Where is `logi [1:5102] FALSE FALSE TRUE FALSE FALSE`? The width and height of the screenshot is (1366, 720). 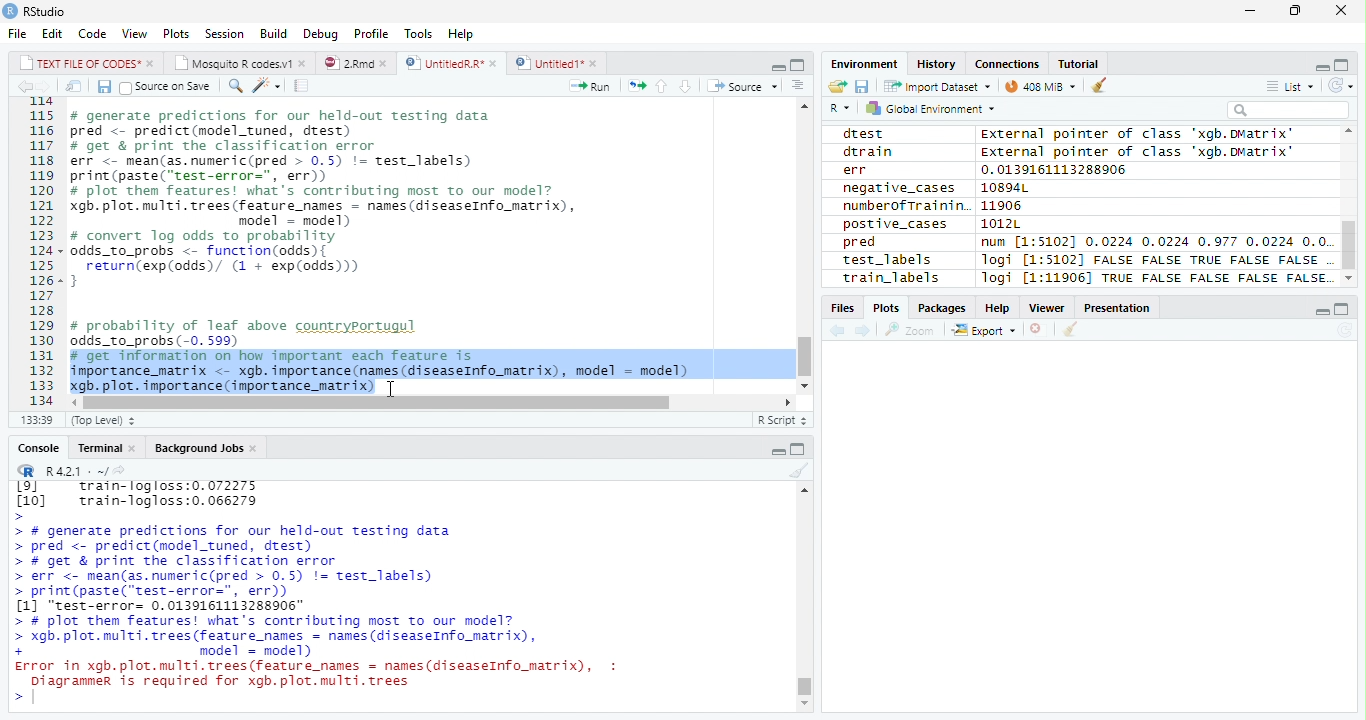
logi [1:5102] FALSE FALSE TRUE FALSE FALSE is located at coordinates (1155, 259).